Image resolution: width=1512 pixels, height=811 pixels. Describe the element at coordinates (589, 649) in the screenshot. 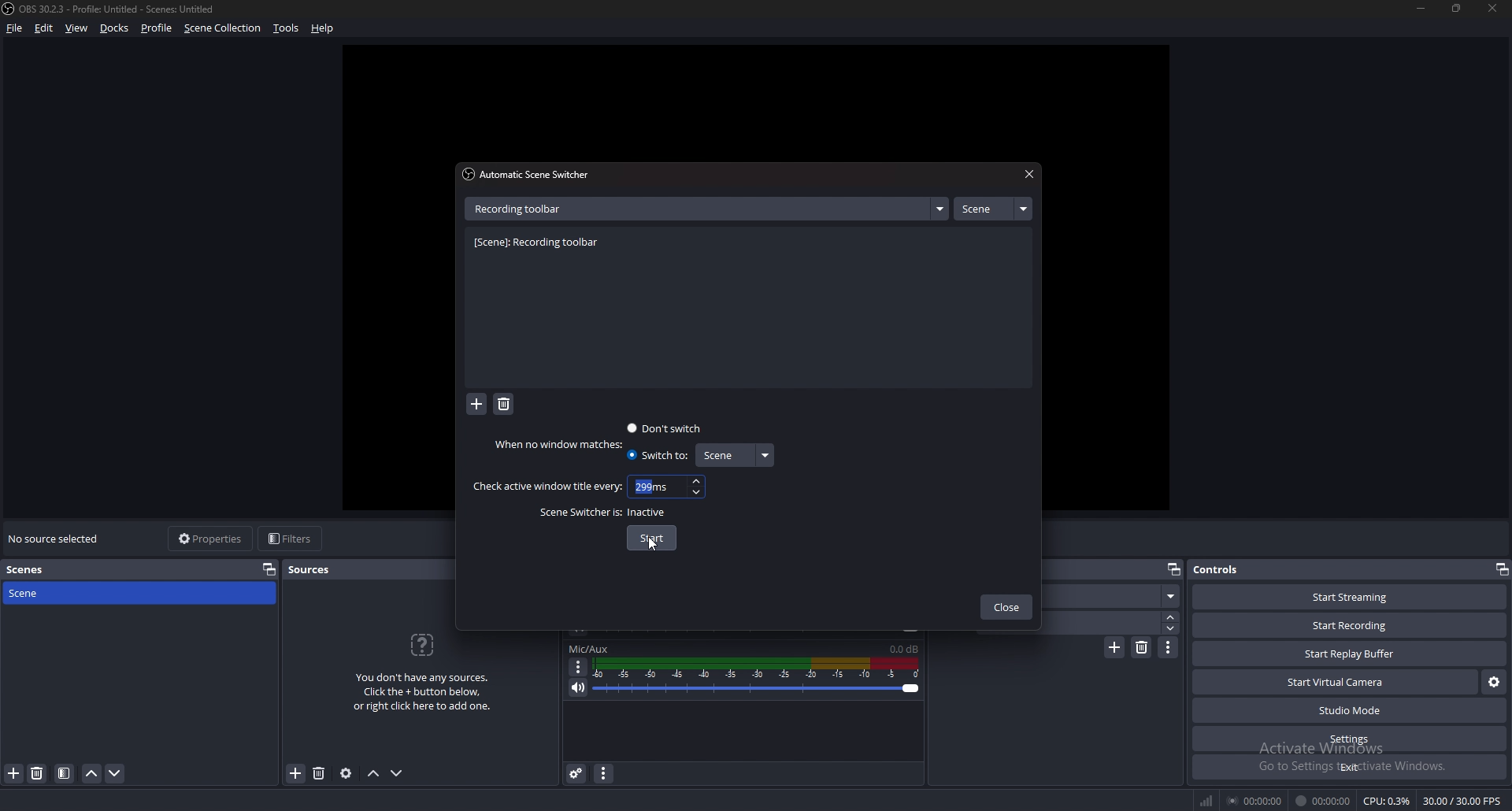

I see `mic/aux` at that location.